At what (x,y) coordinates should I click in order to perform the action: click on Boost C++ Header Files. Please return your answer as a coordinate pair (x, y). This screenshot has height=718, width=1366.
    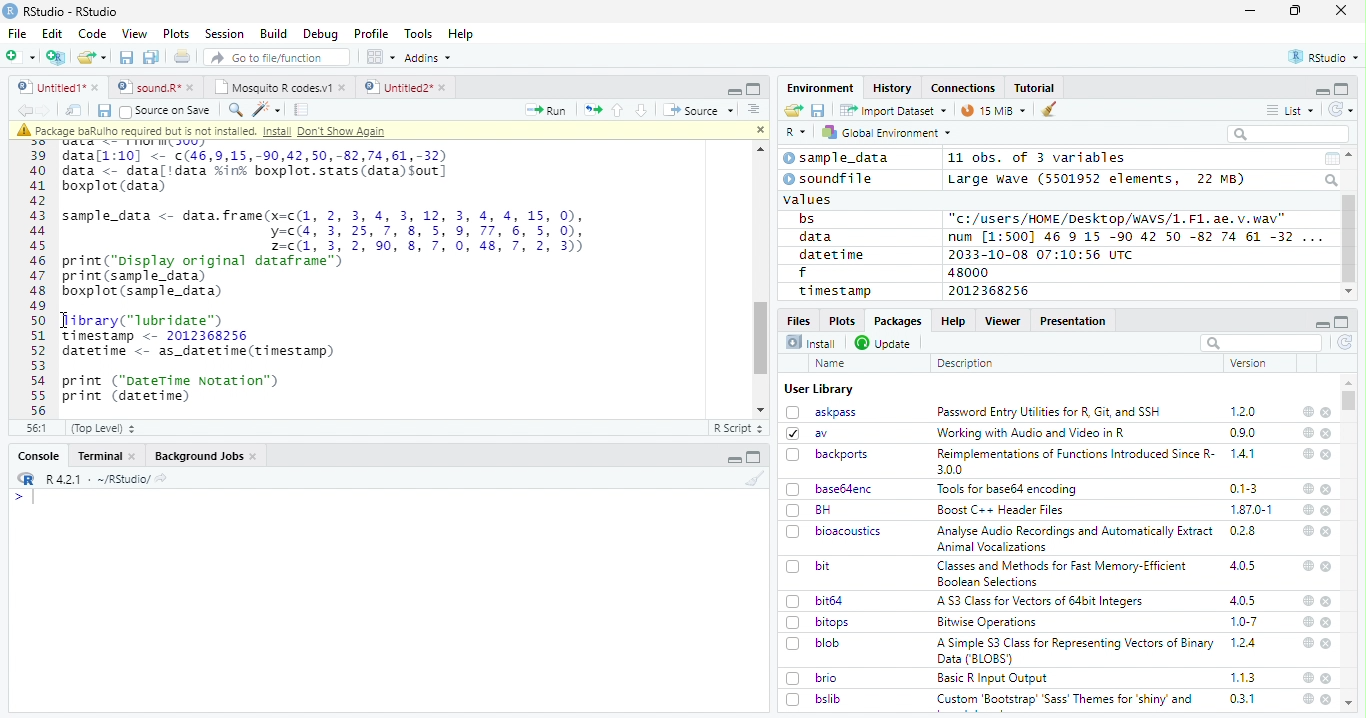
    Looking at the image, I should click on (998, 511).